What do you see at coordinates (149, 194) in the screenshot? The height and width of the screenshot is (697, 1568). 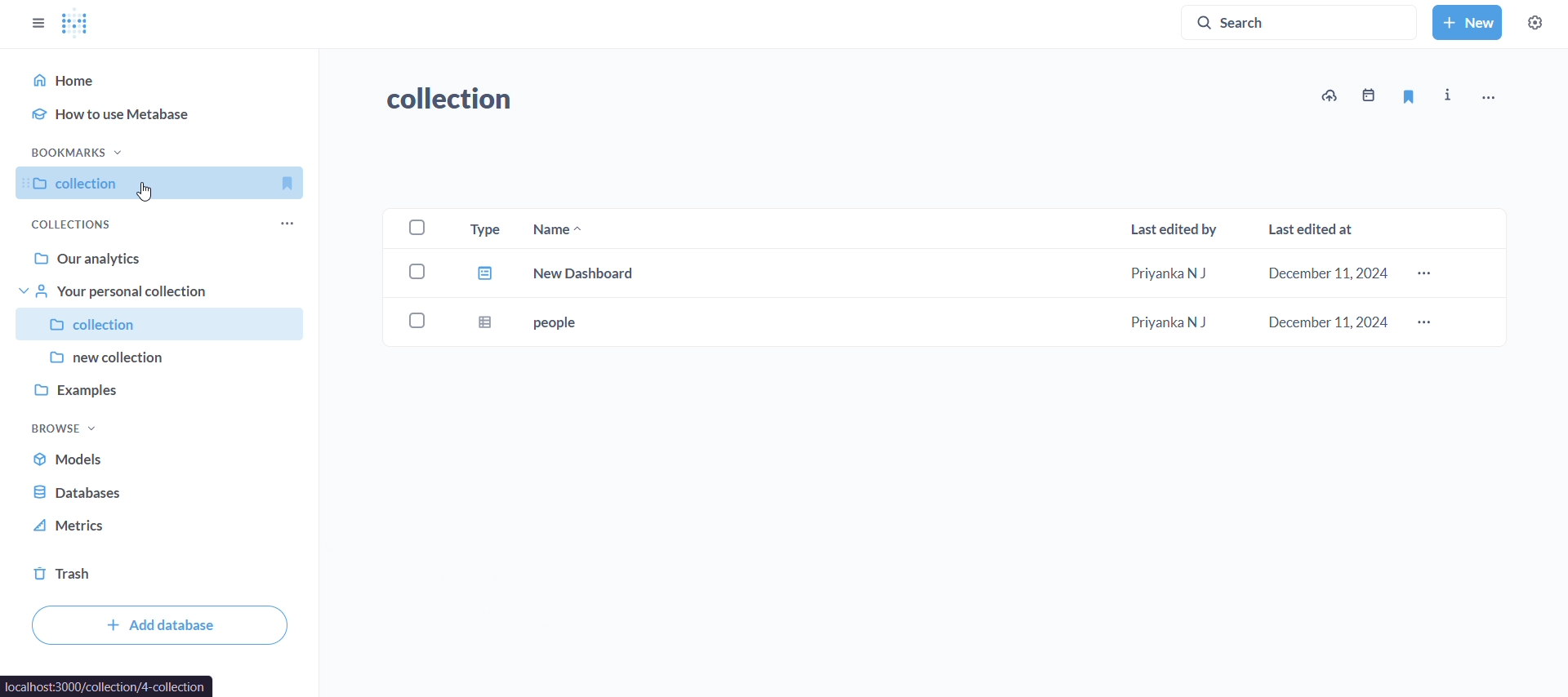 I see `cursor` at bounding box center [149, 194].